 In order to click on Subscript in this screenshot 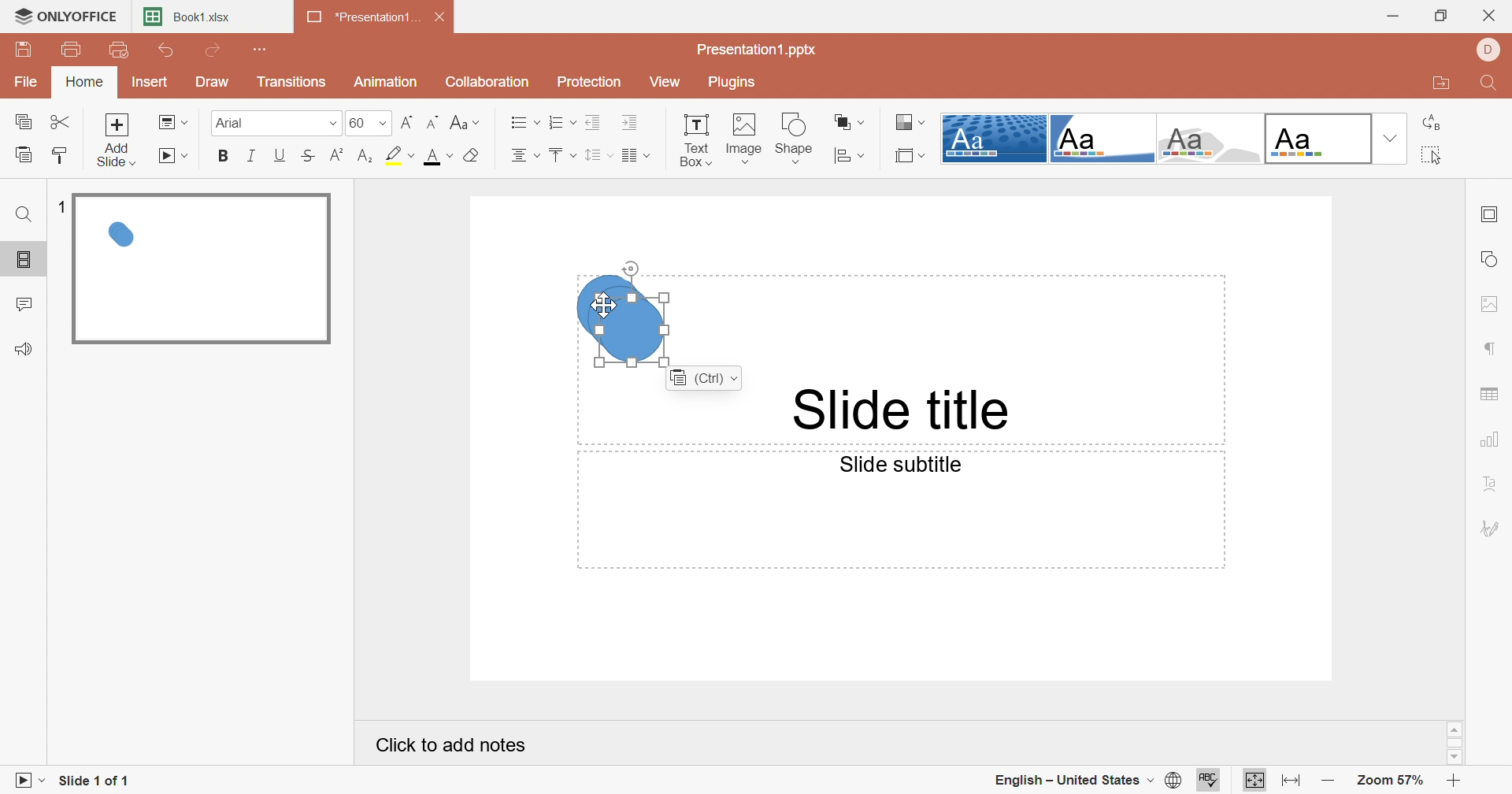, I will do `click(369, 155)`.